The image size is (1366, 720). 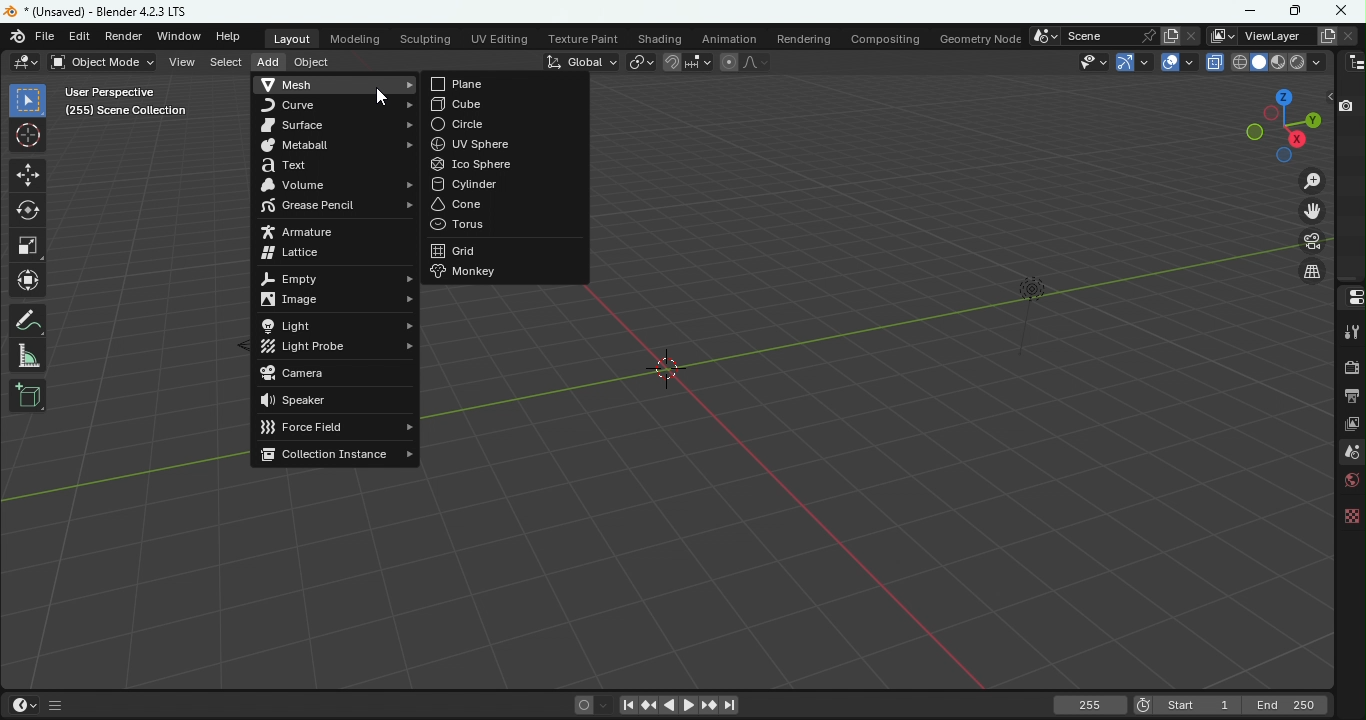 I want to click on Select, so click(x=225, y=63).